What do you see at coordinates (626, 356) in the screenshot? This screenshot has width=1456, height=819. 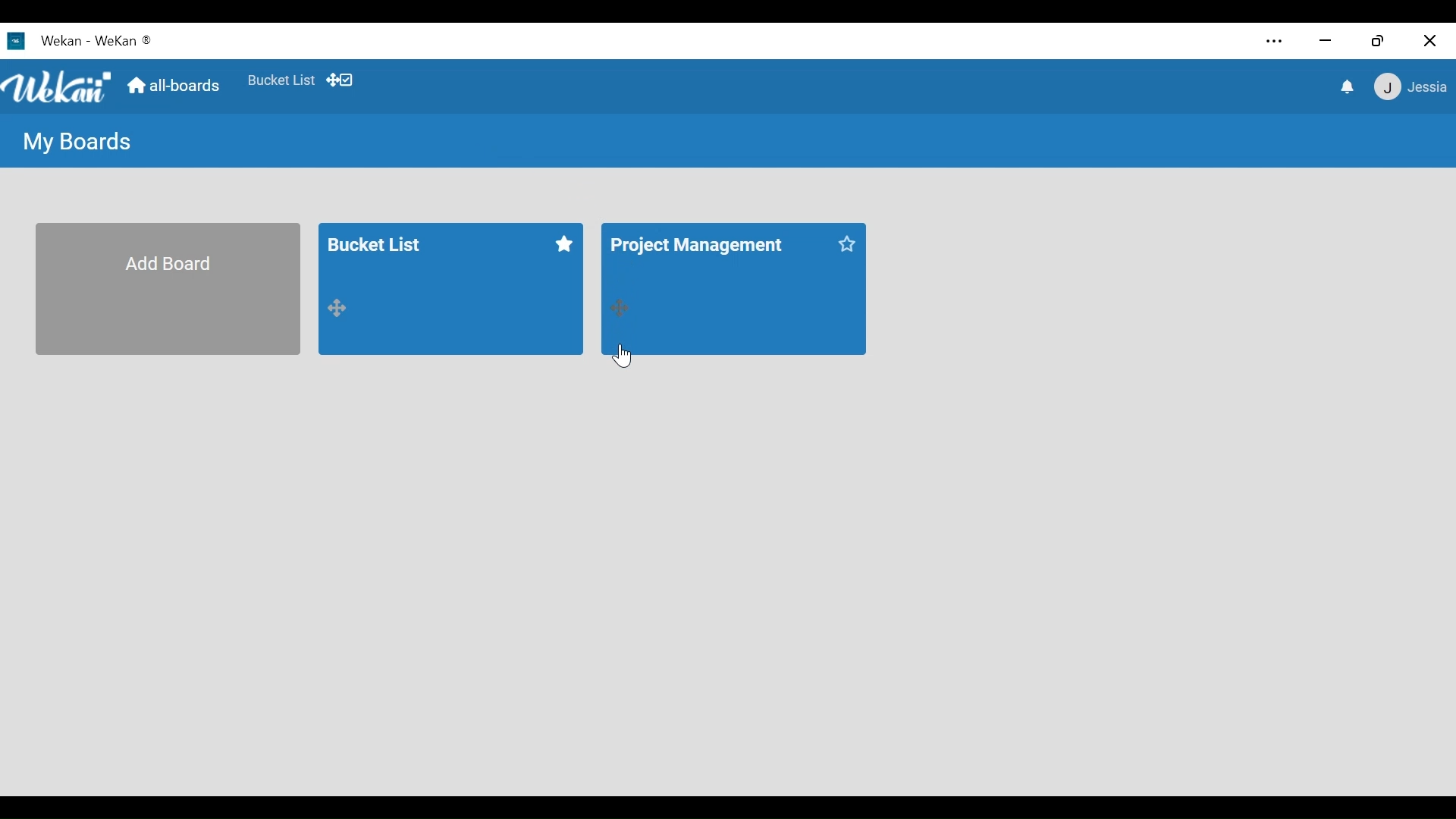 I see `Cursor` at bounding box center [626, 356].